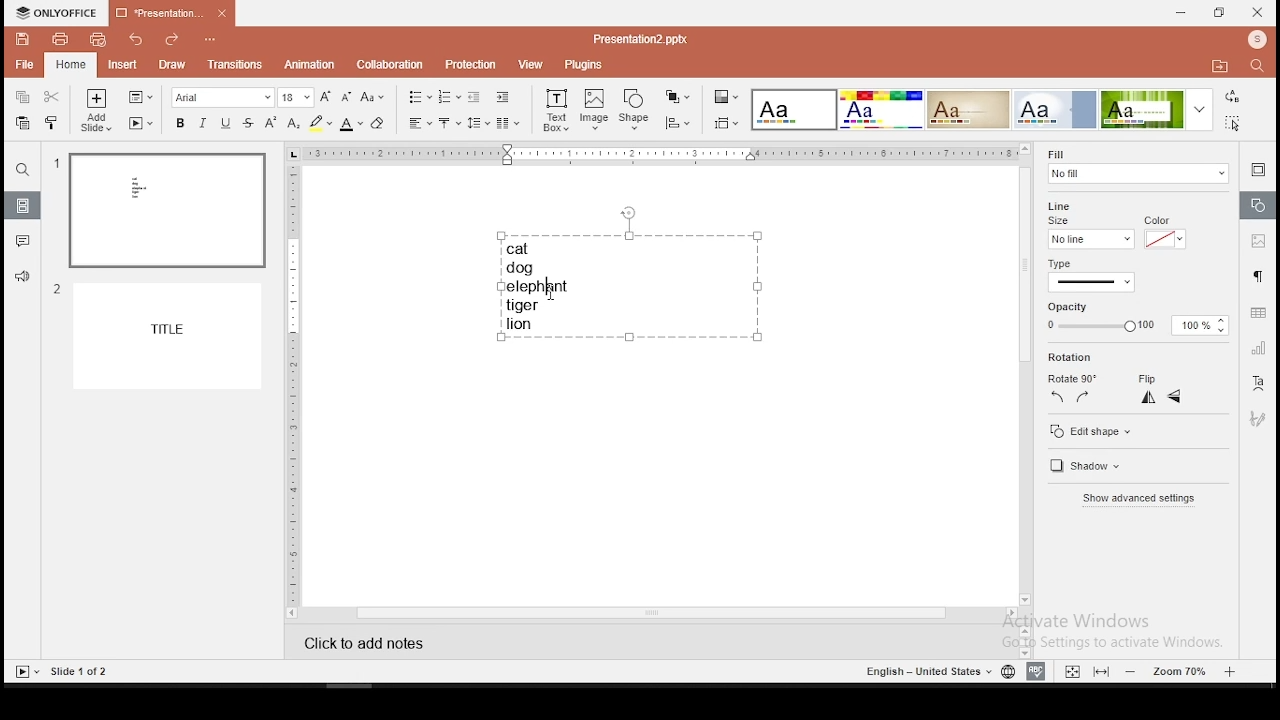 The width and height of the screenshot is (1280, 720). I want to click on Size, so click(1087, 235).